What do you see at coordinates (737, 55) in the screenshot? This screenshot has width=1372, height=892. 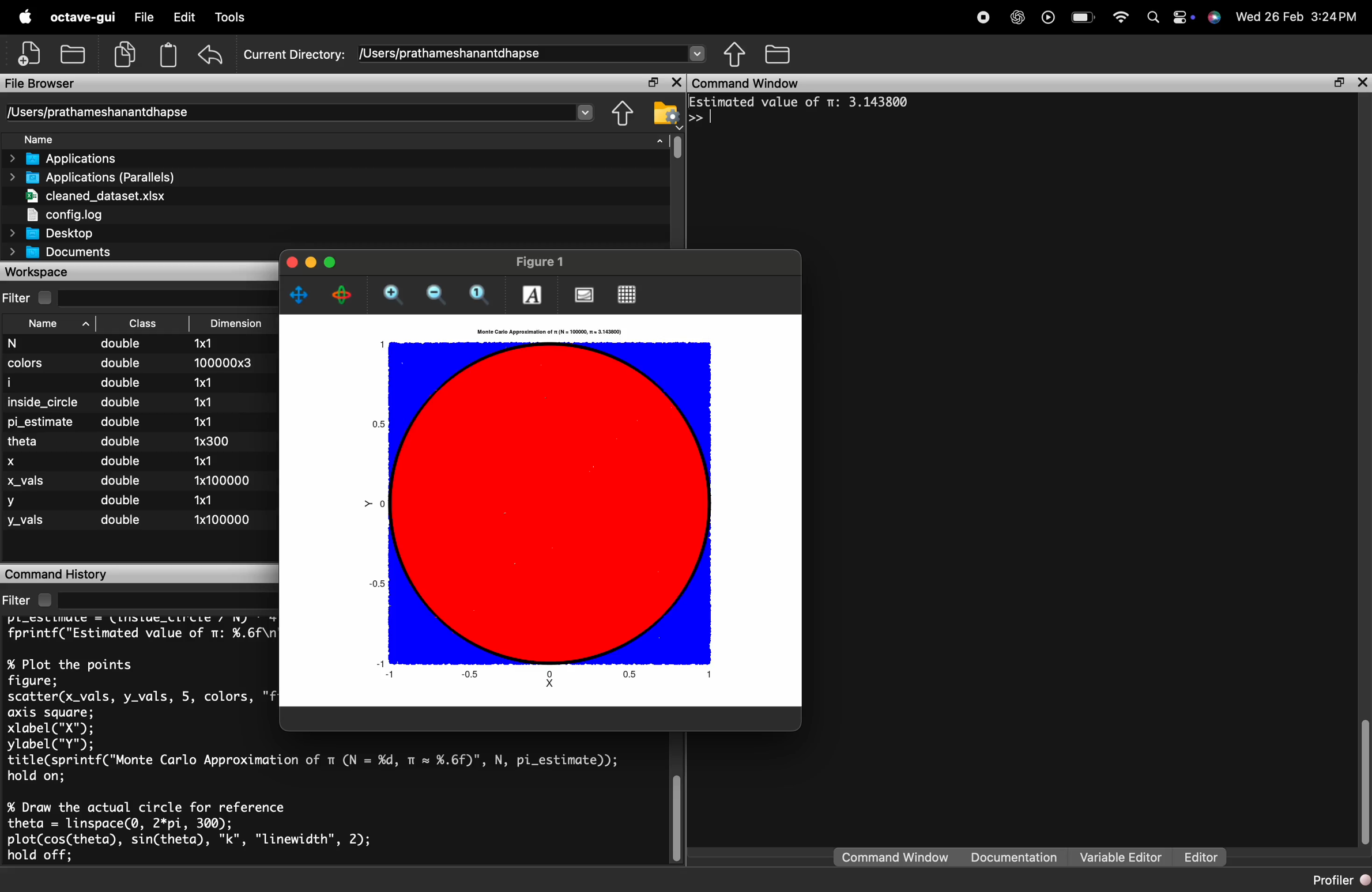 I see `one directory up` at bounding box center [737, 55].